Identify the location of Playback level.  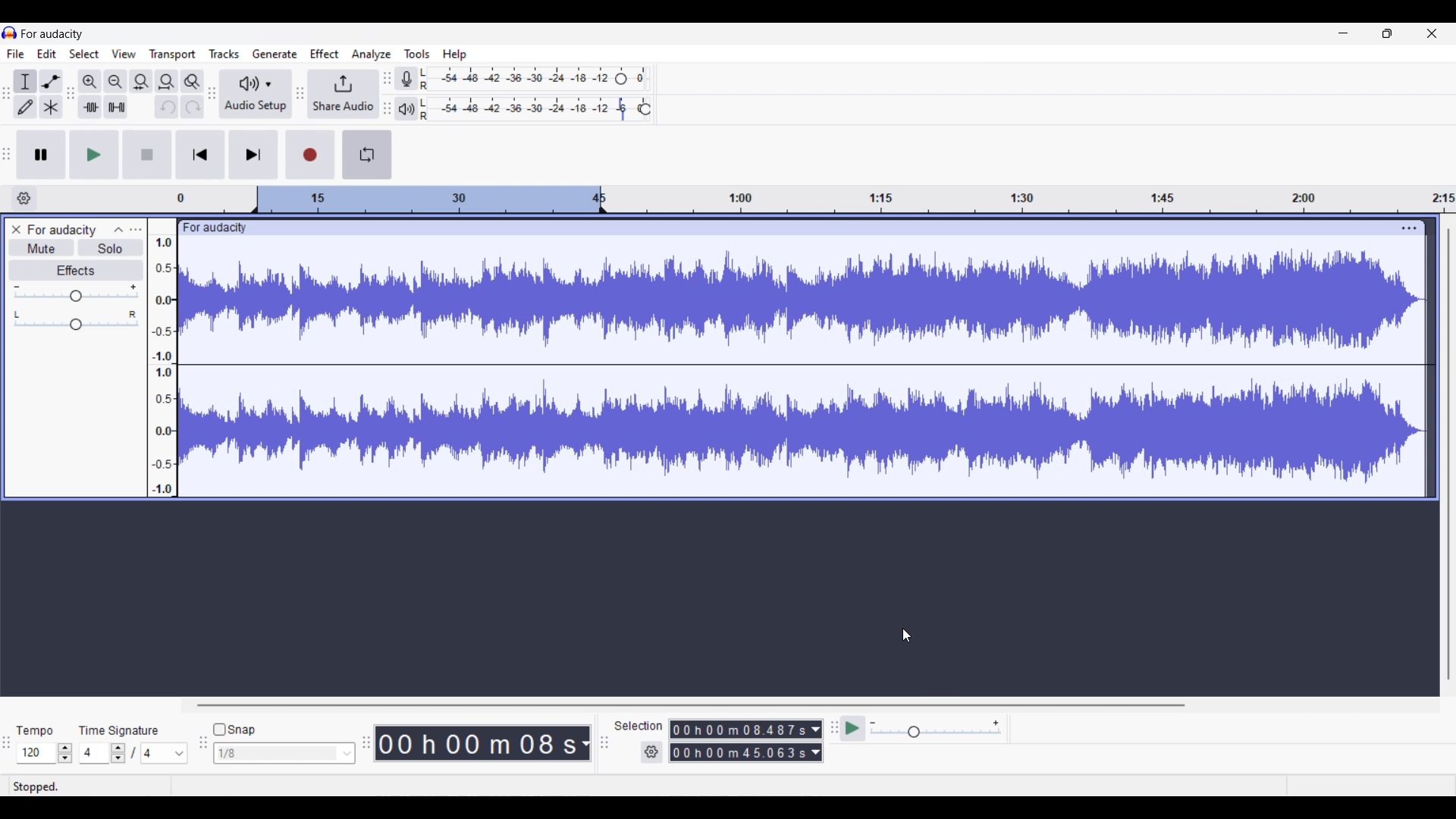
(526, 109).